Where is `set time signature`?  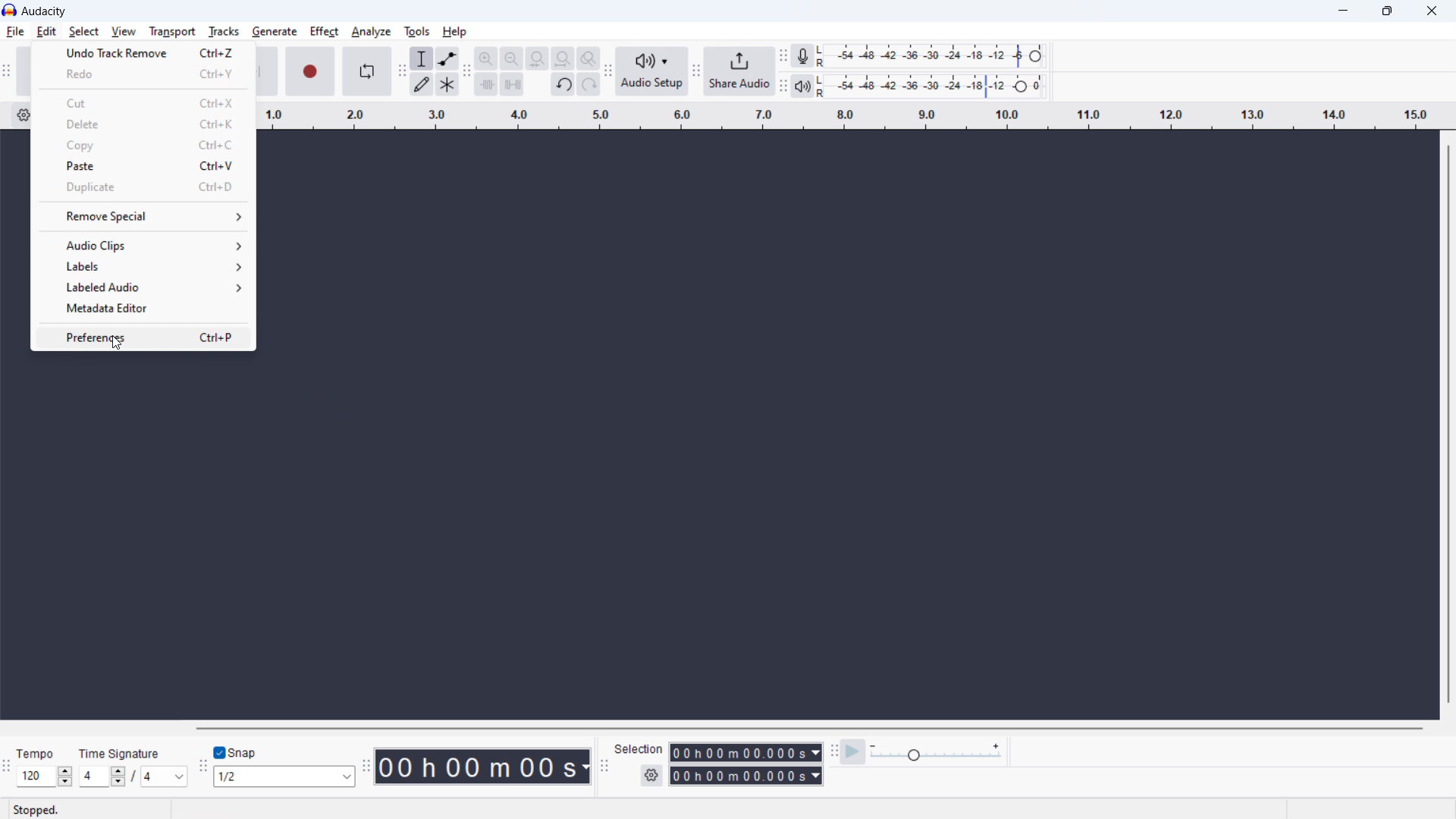
set time signature is located at coordinates (133, 777).